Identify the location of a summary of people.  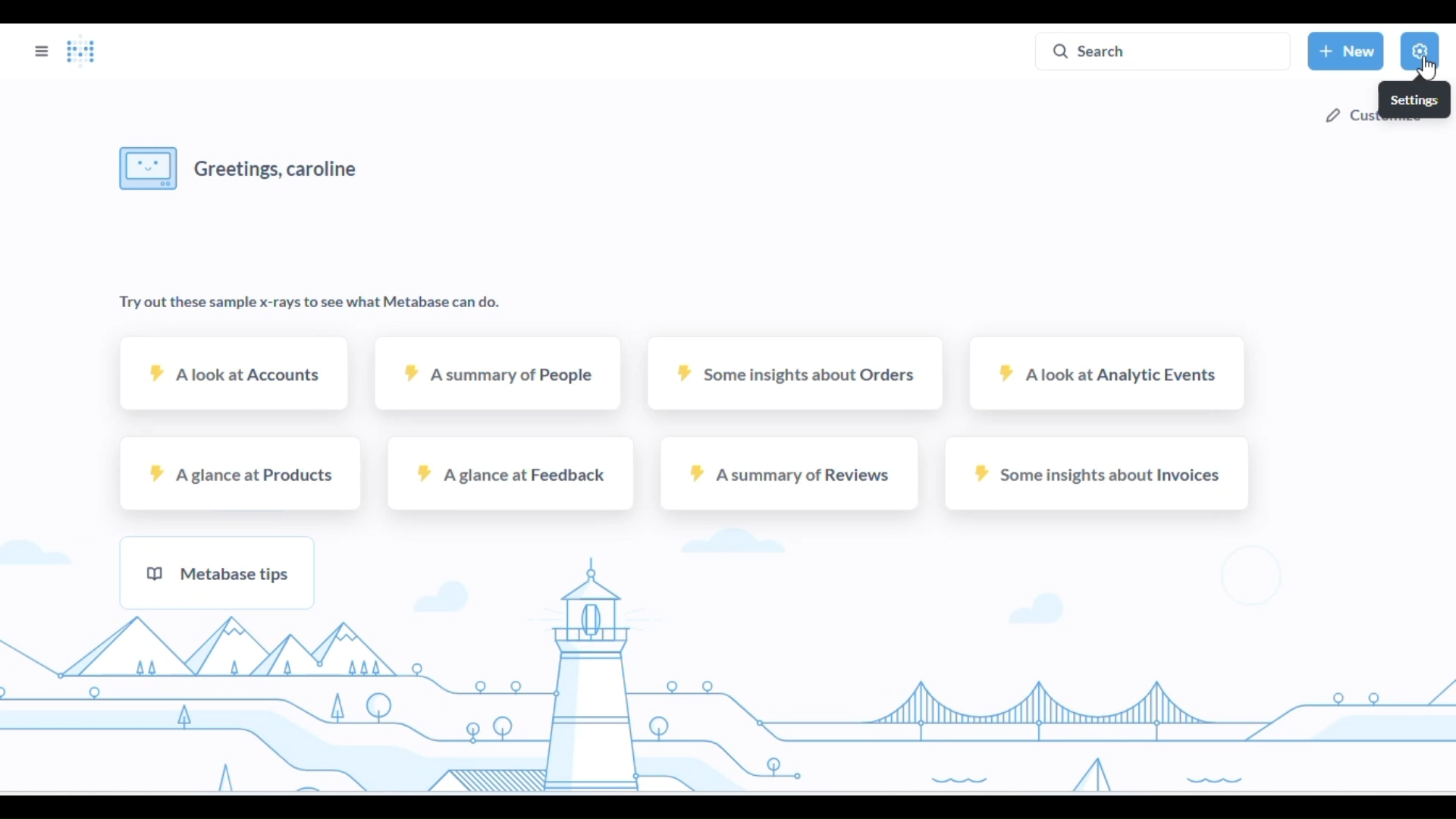
(500, 373).